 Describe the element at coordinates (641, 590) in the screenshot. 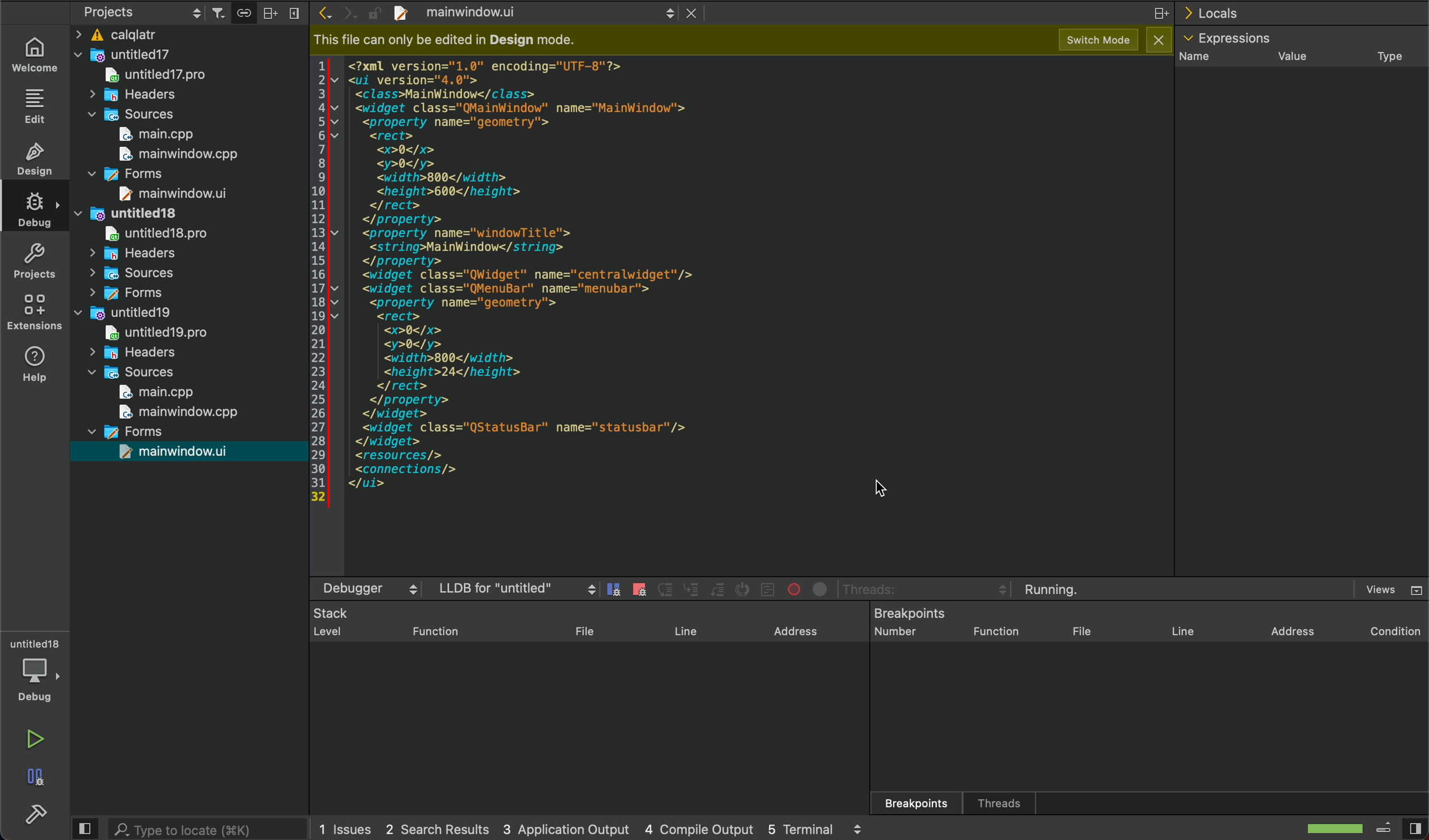

I see `terminal button` at that location.